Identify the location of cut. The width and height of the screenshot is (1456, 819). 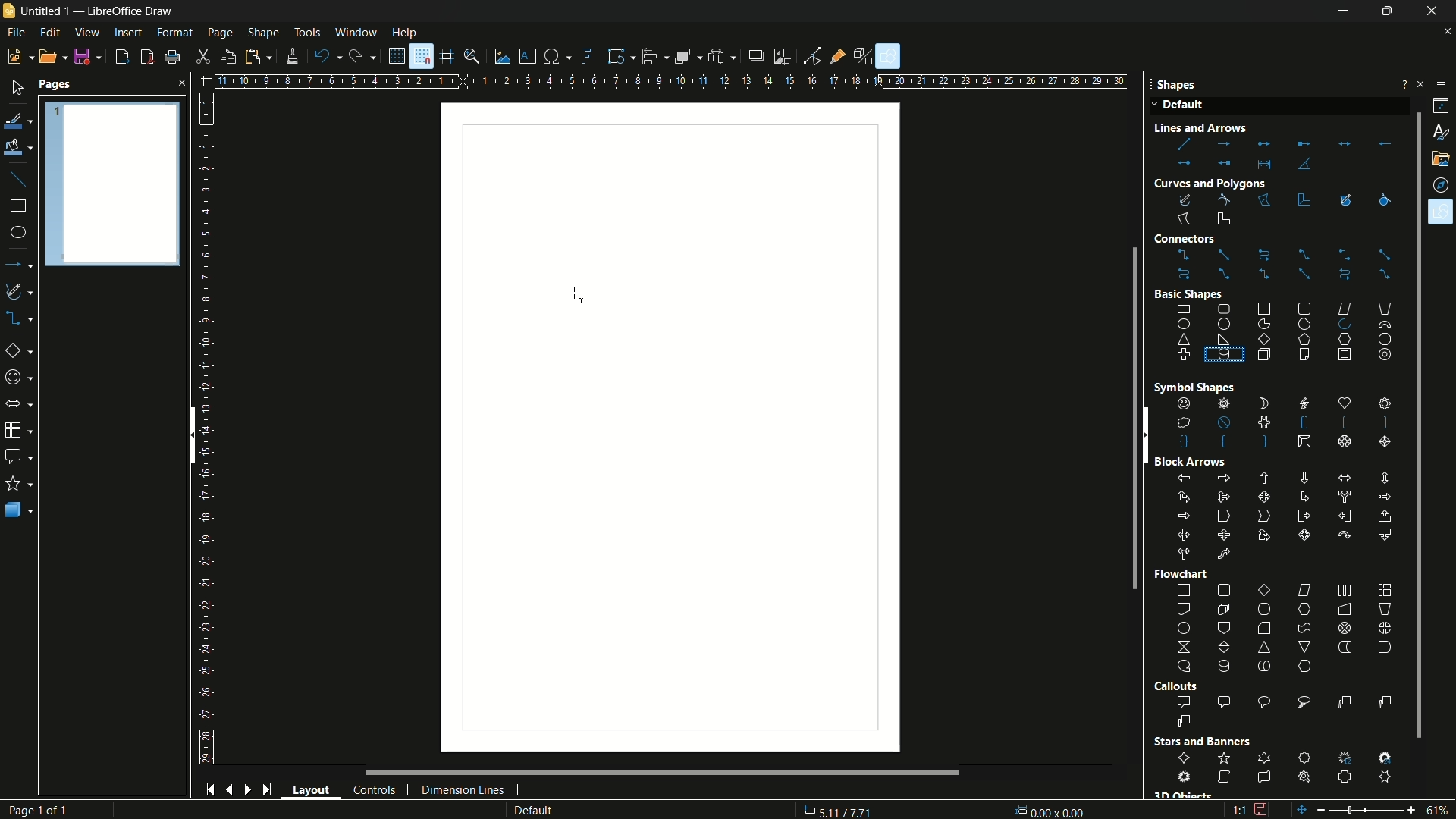
(206, 56).